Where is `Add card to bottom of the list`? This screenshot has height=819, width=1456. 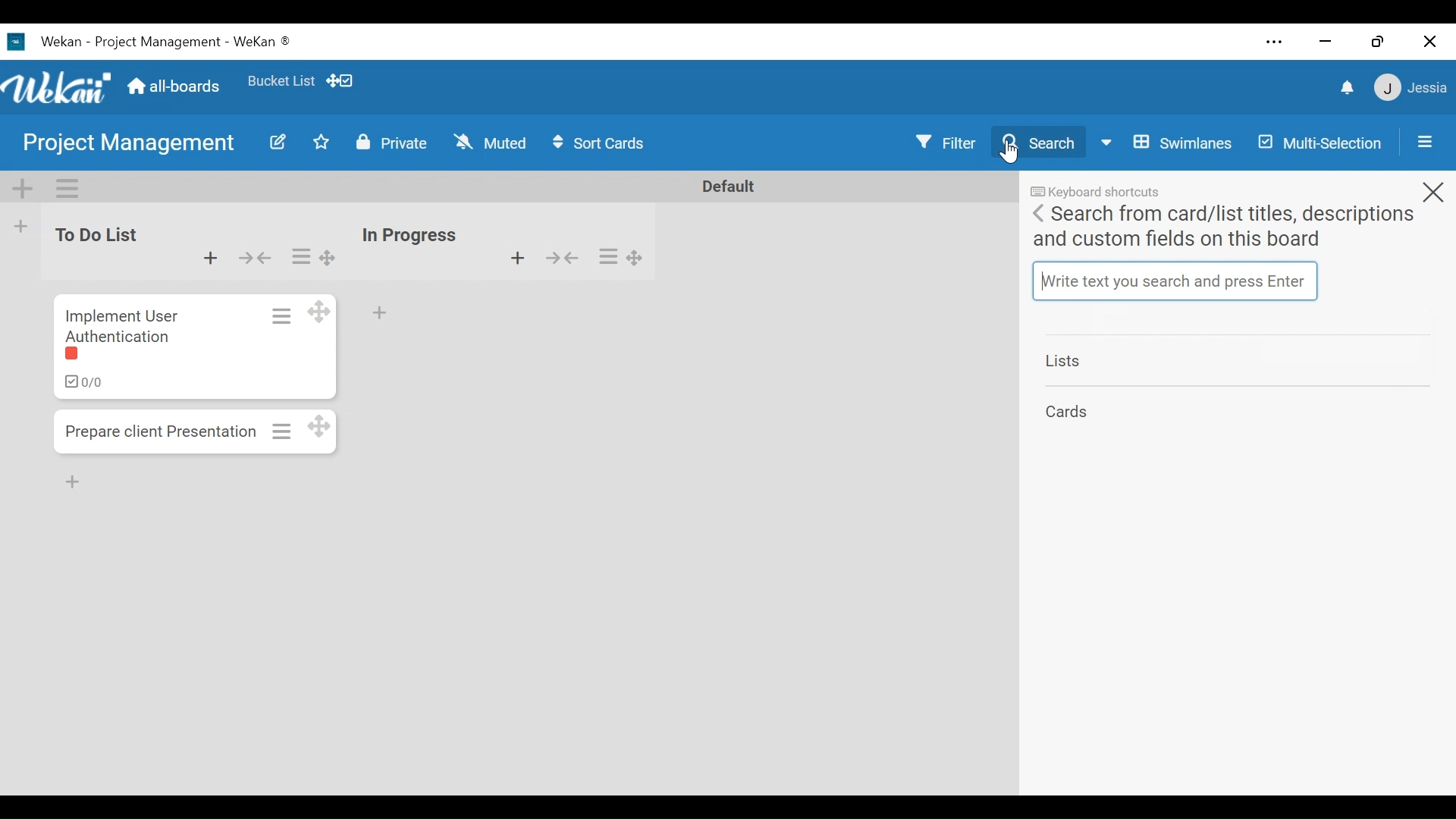
Add card to bottom of the list is located at coordinates (381, 313).